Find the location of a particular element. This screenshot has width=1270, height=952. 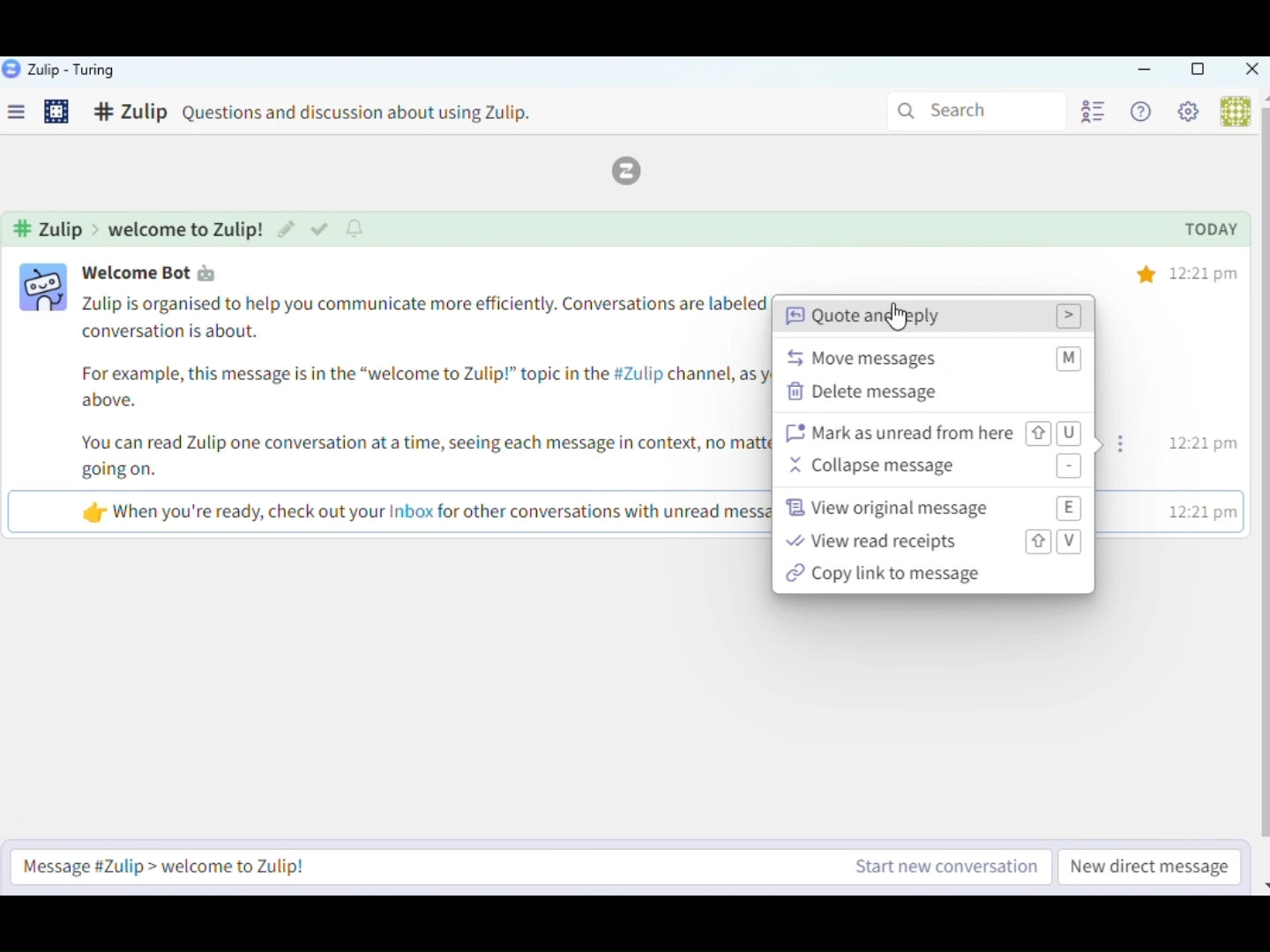

Copy link to message is located at coordinates (938, 576).